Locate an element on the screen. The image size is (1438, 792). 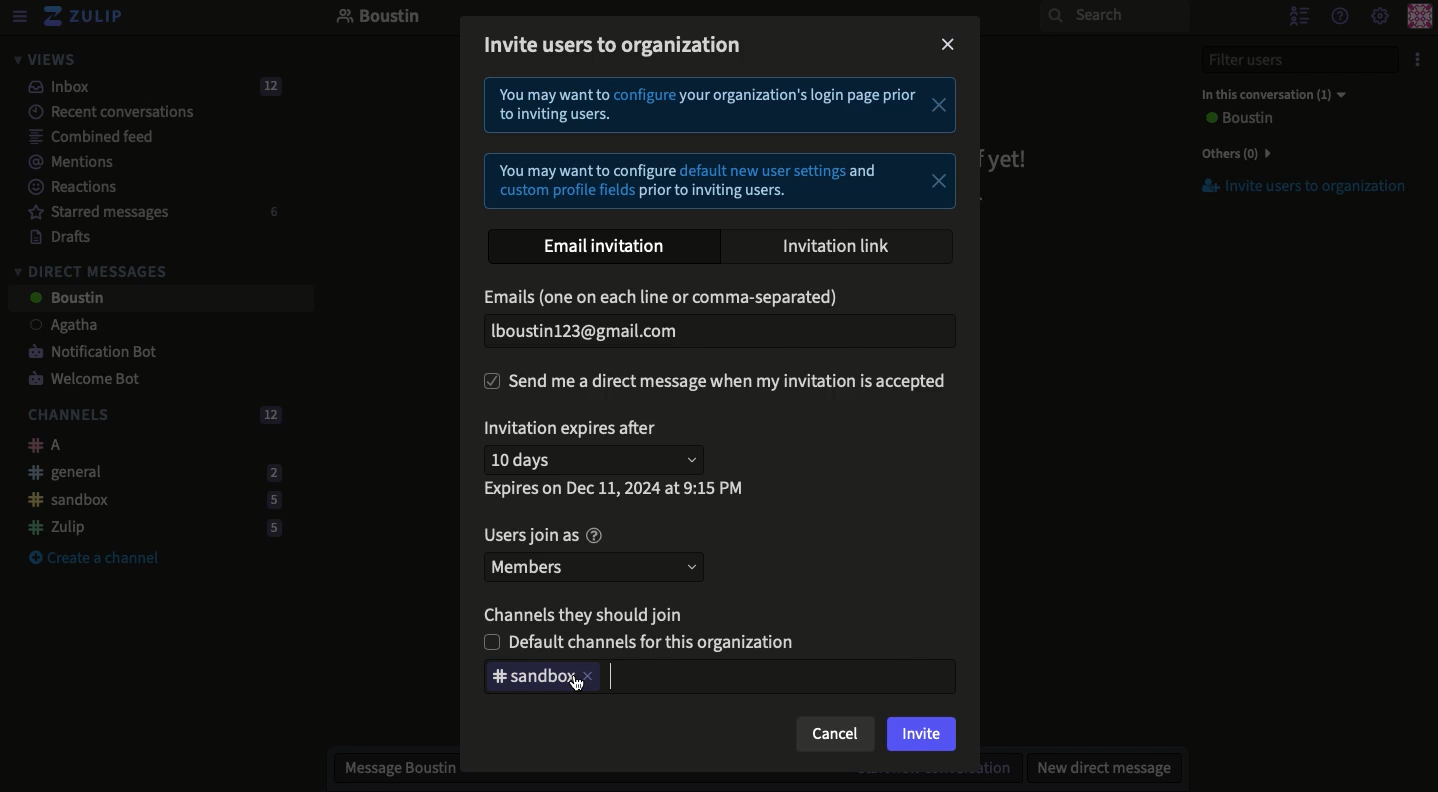
Invitation expires after is located at coordinates (575, 430).